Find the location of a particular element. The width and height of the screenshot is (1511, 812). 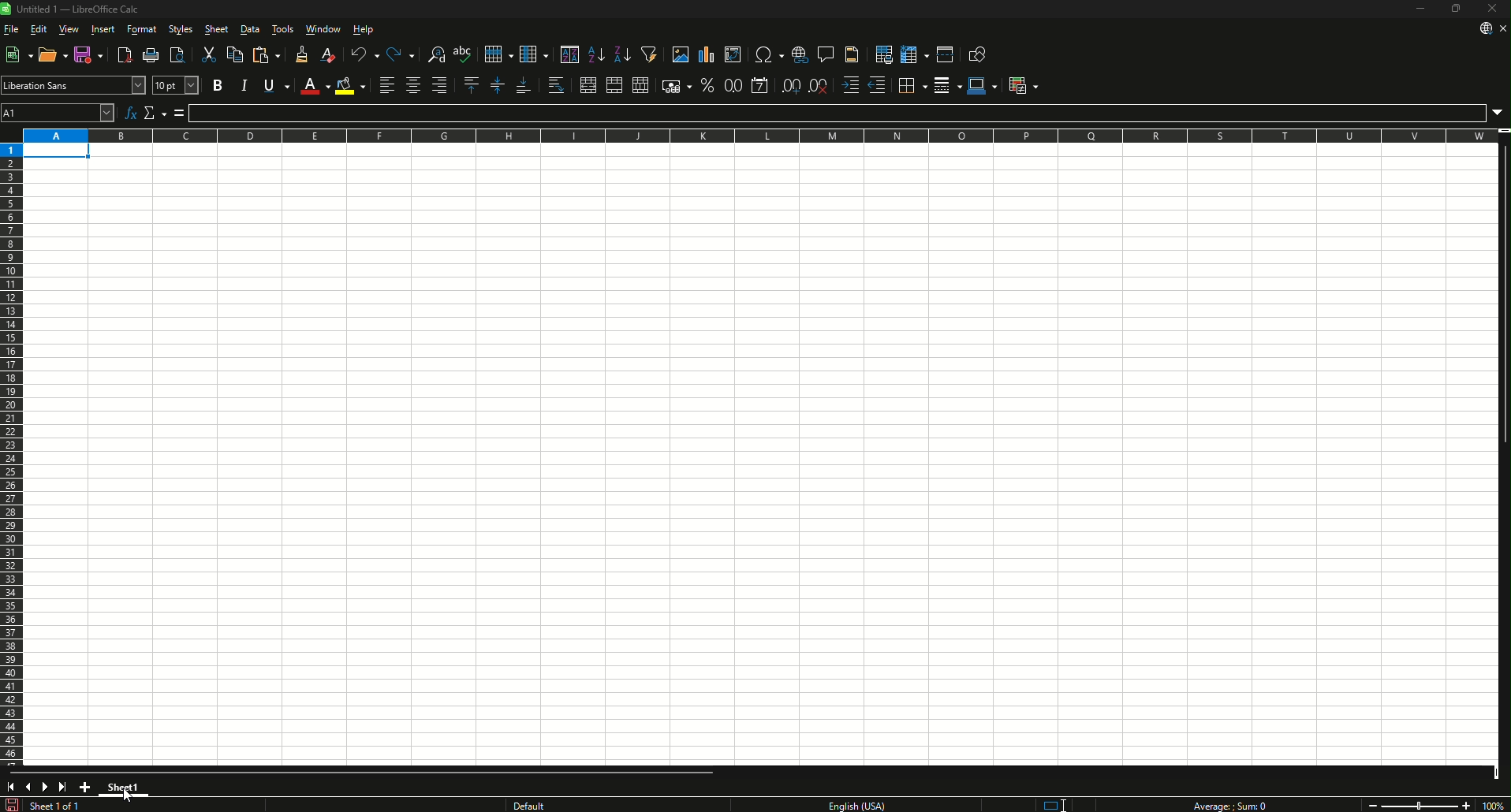

Font Name is located at coordinates (138, 85).